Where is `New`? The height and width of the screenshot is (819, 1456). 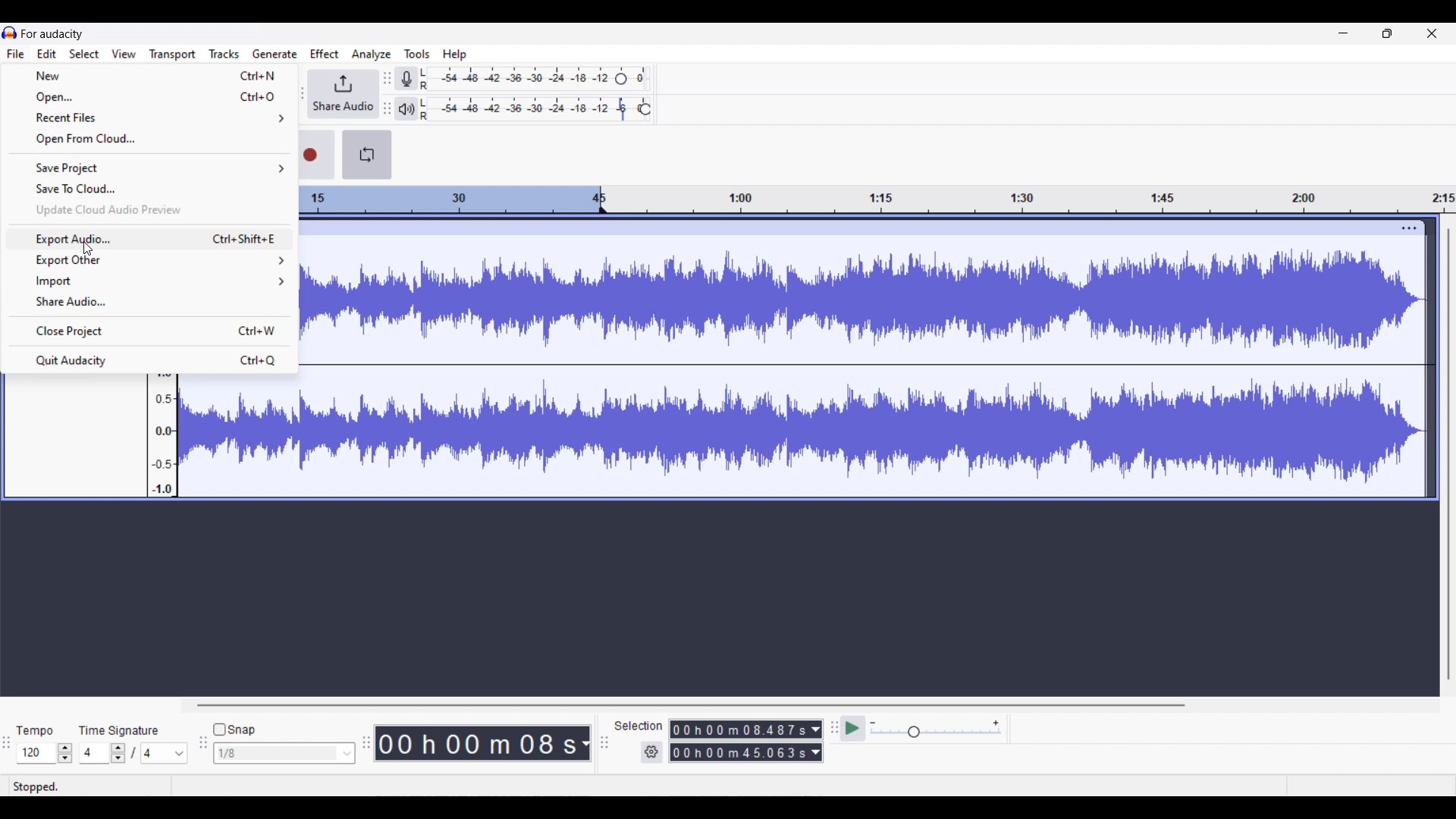 New is located at coordinates (151, 75).